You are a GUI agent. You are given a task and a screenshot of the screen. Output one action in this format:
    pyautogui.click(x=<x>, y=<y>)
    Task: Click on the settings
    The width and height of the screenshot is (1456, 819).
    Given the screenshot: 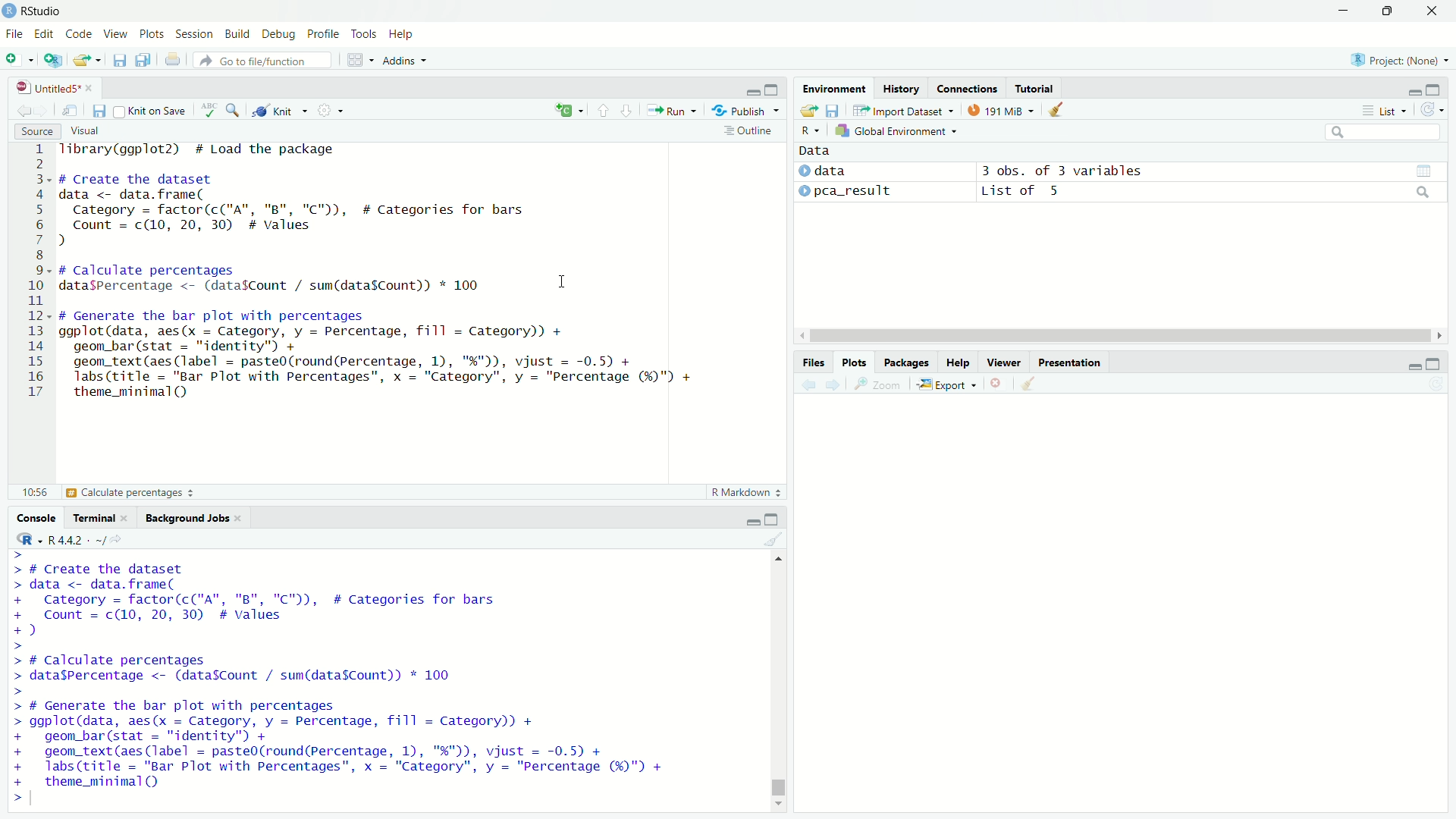 What is the action you would take?
    pyautogui.click(x=325, y=109)
    